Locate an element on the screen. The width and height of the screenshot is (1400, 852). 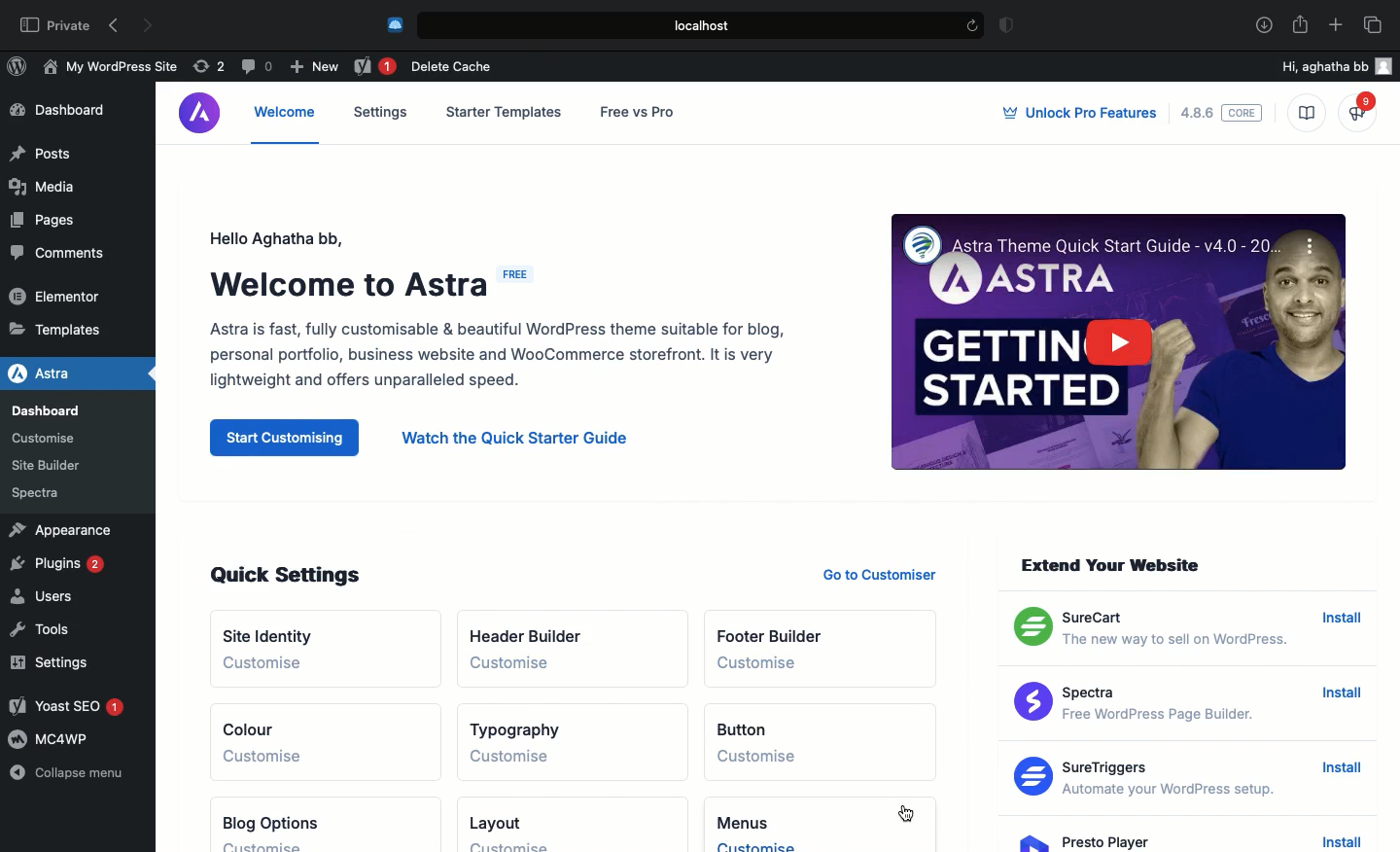
Install is located at coordinates (1347, 631).